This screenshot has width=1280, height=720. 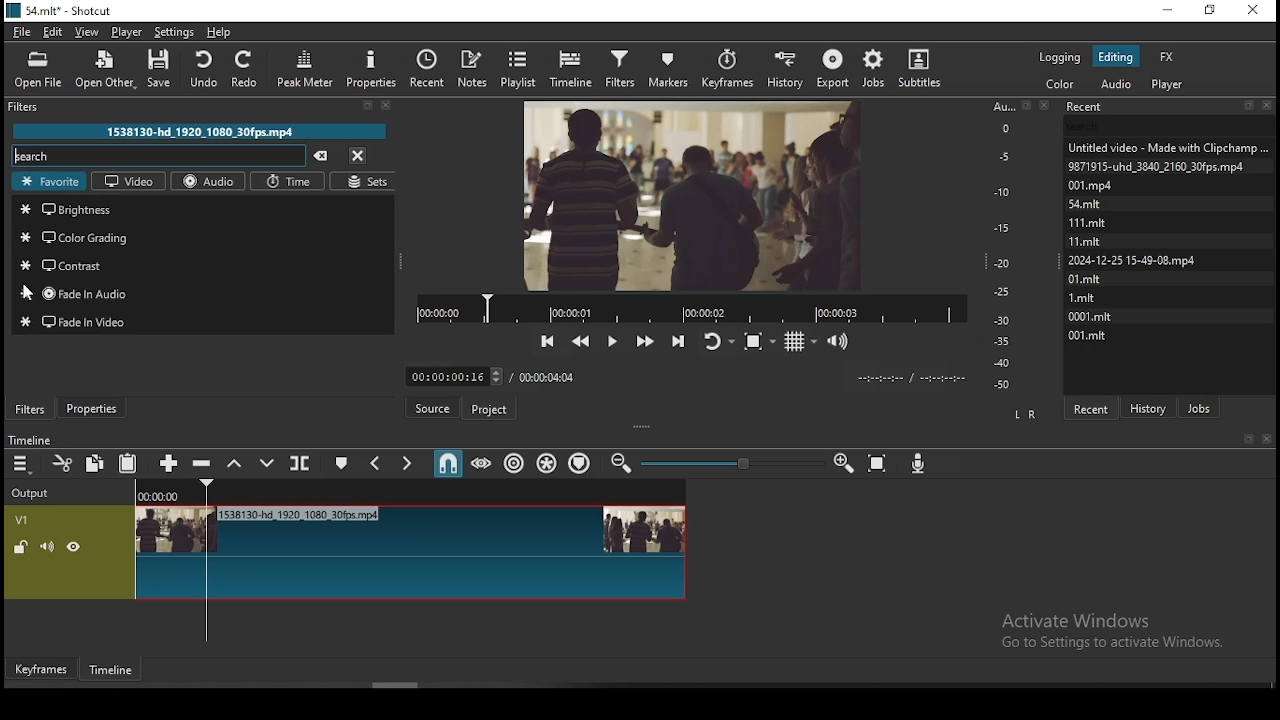 I want to click on minimize, so click(x=1166, y=11).